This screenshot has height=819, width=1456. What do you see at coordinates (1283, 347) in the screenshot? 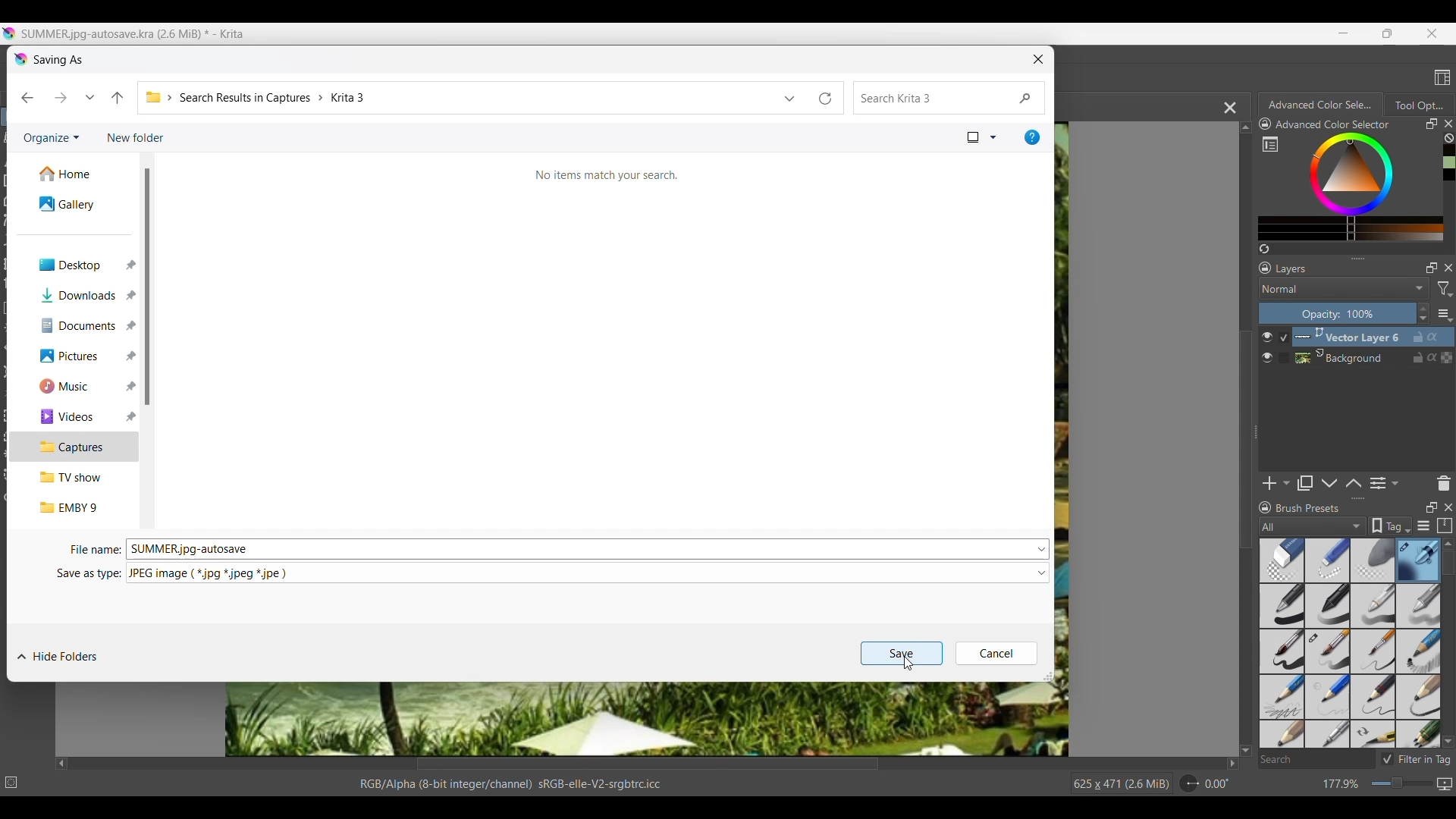
I see `Indicates current selection` at bounding box center [1283, 347].